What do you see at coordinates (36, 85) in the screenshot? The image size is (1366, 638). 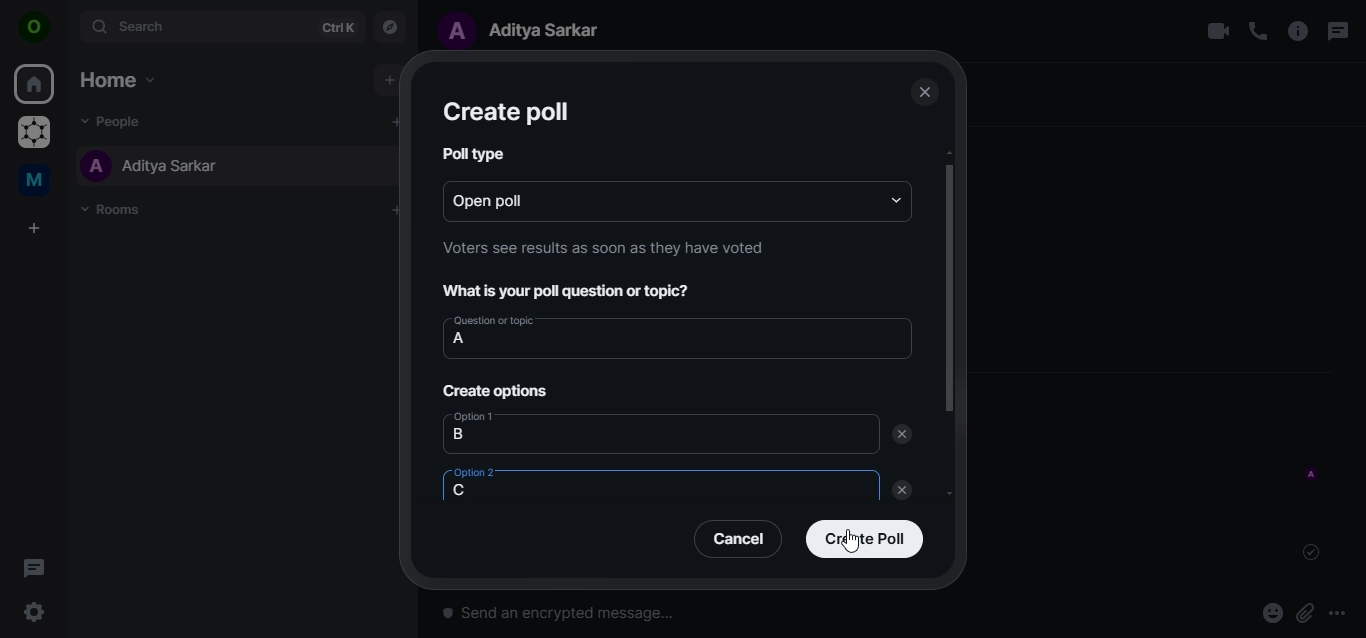 I see `home` at bounding box center [36, 85].